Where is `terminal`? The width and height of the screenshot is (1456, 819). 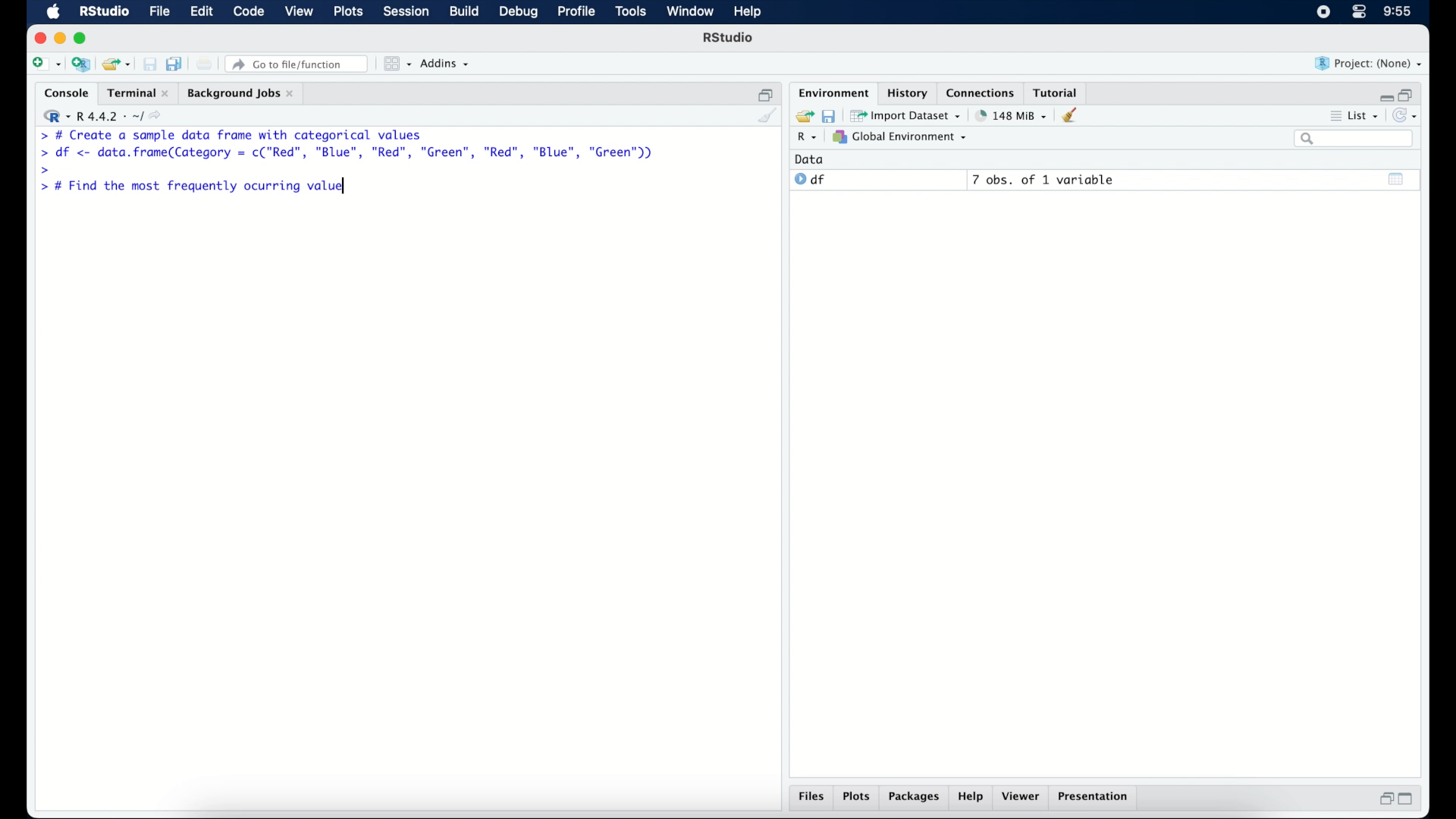 terminal is located at coordinates (136, 91).